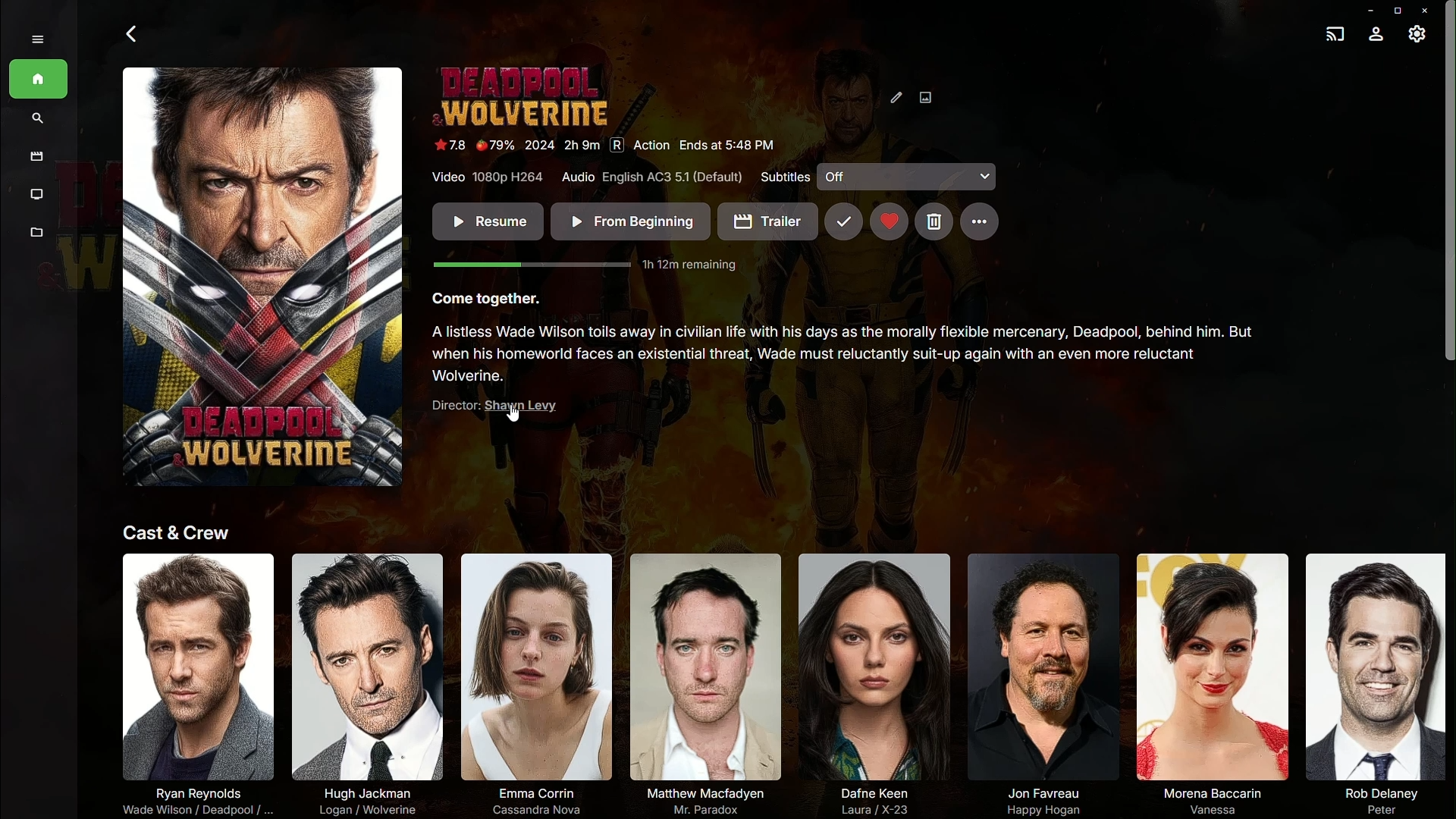  Describe the element at coordinates (1370, 682) in the screenshot. I see `Rob Delaney` at that location.